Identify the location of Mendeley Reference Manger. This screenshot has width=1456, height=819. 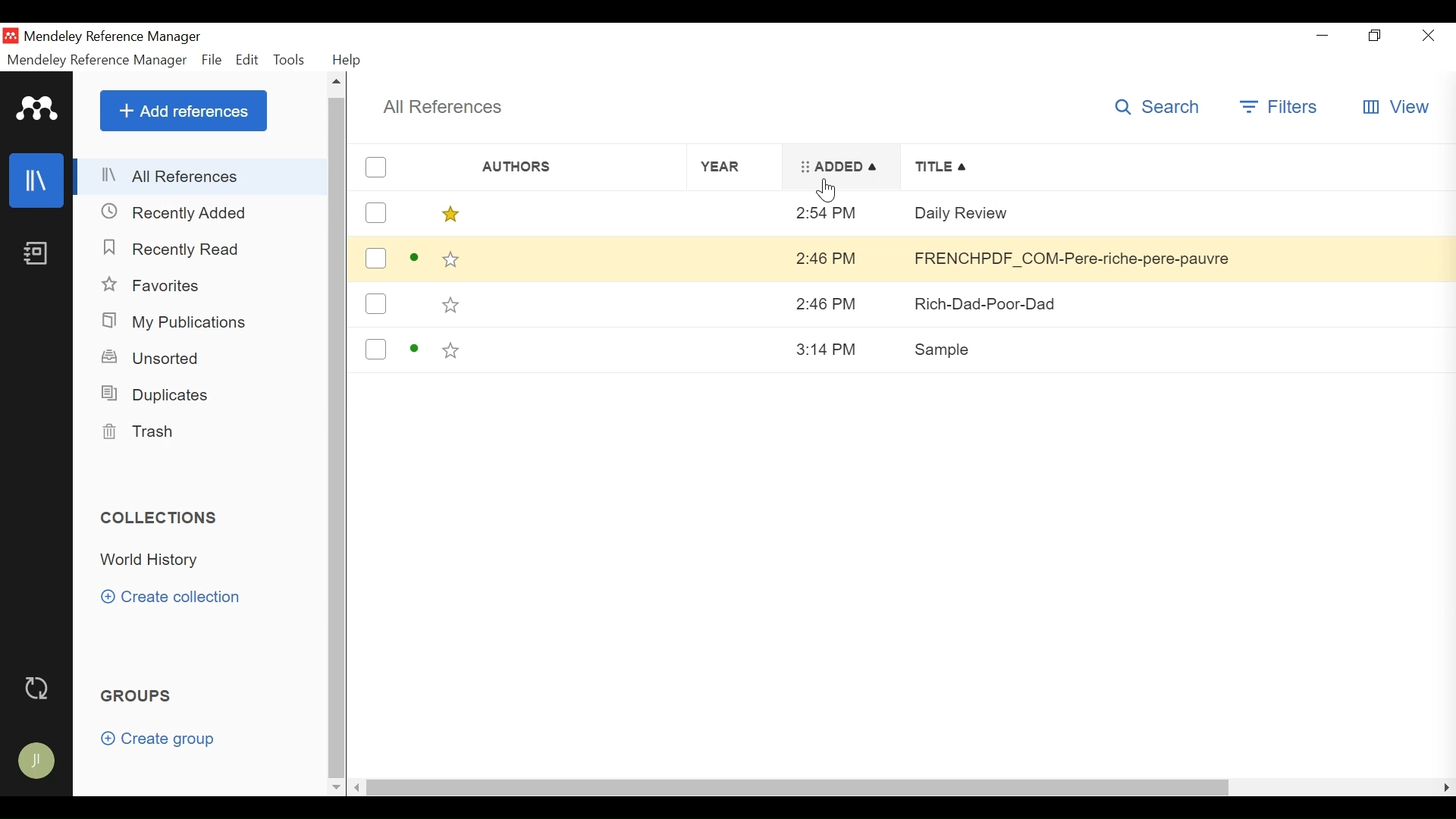
(117, 36).